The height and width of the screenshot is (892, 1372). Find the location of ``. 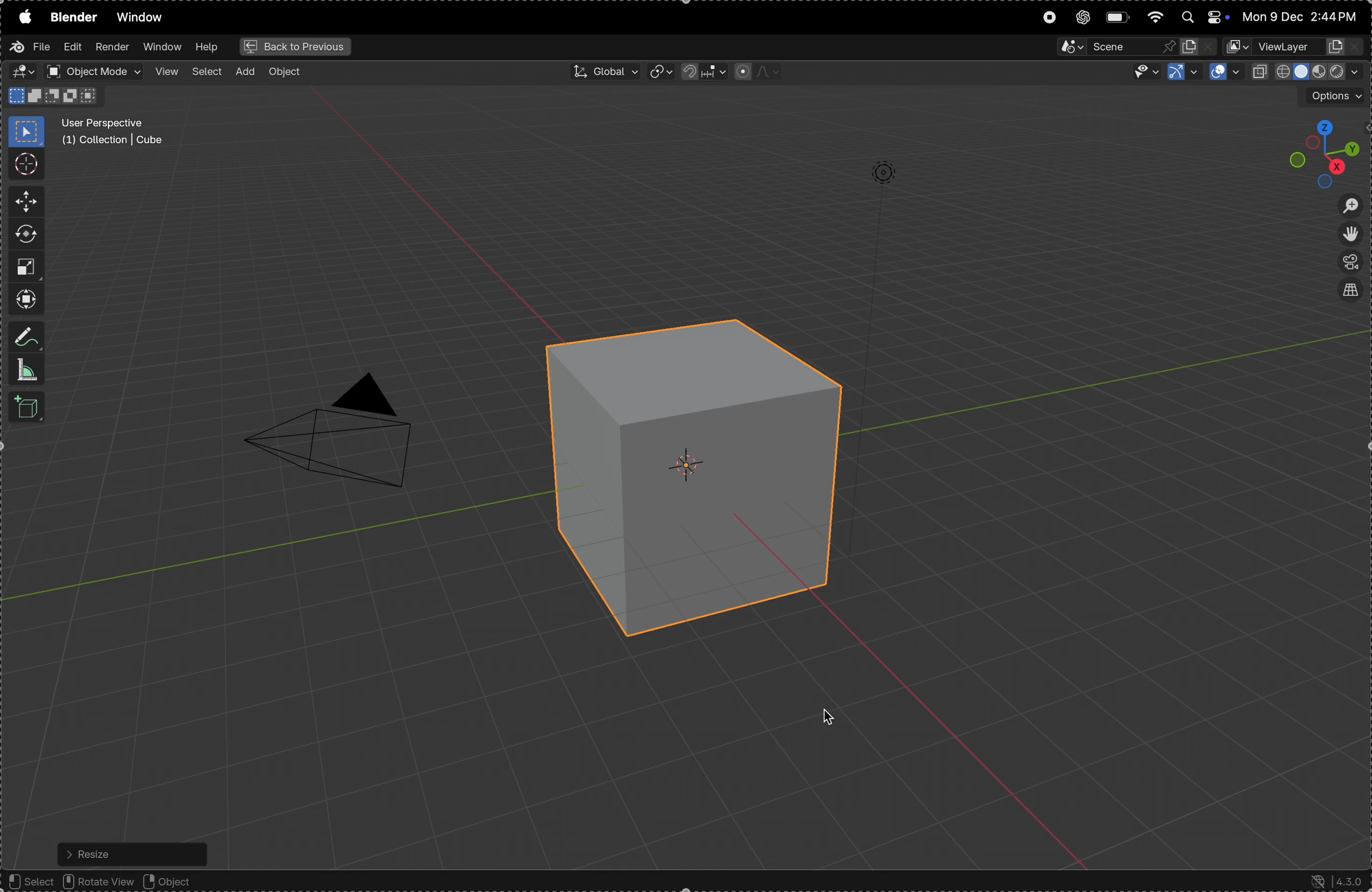

 is located at coordinates (161, 46).